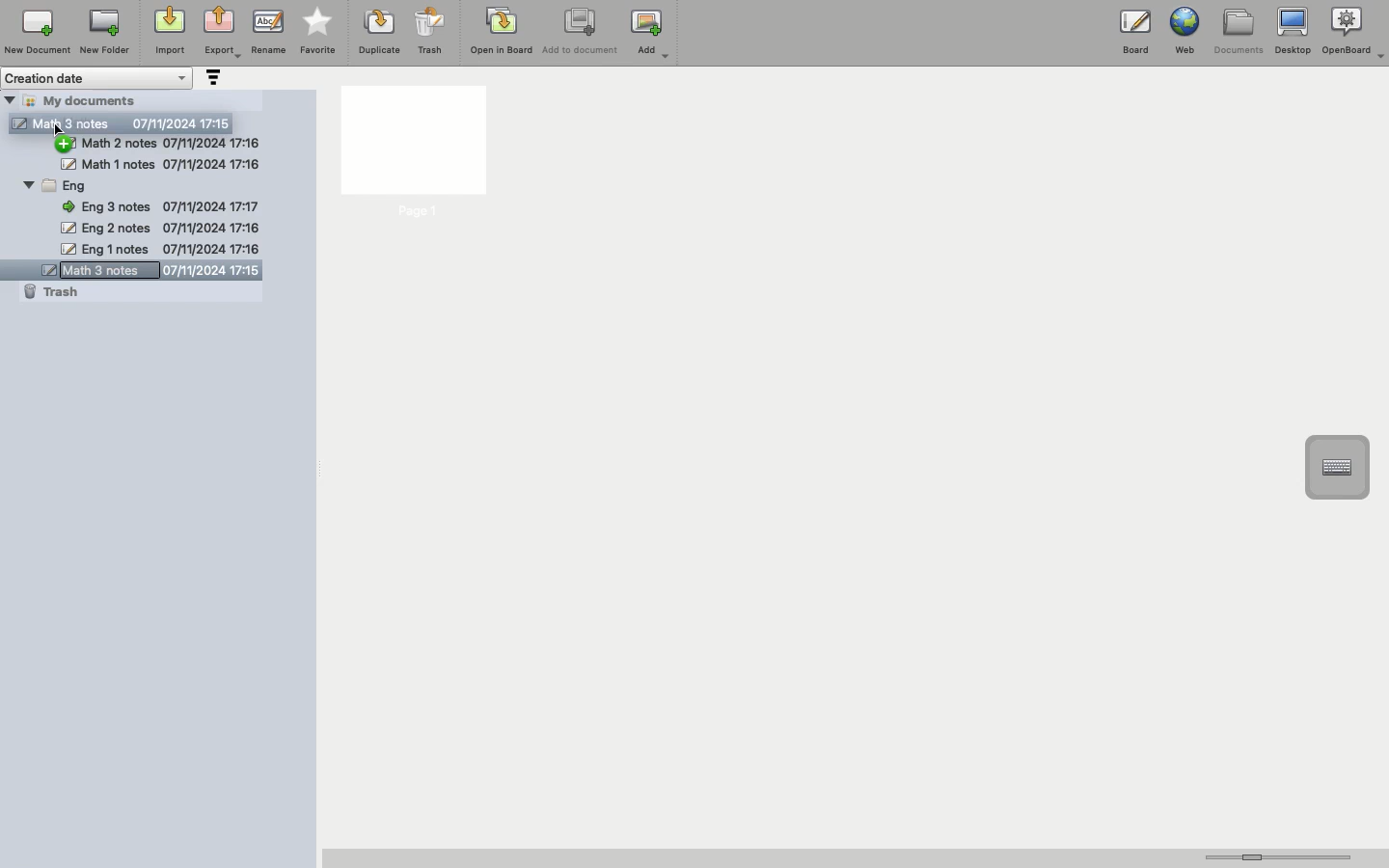 This screenshot has width=1389, height=868. Describe the element at coordinates (103, 33) in the screenshot. I see `New folder` at that location.